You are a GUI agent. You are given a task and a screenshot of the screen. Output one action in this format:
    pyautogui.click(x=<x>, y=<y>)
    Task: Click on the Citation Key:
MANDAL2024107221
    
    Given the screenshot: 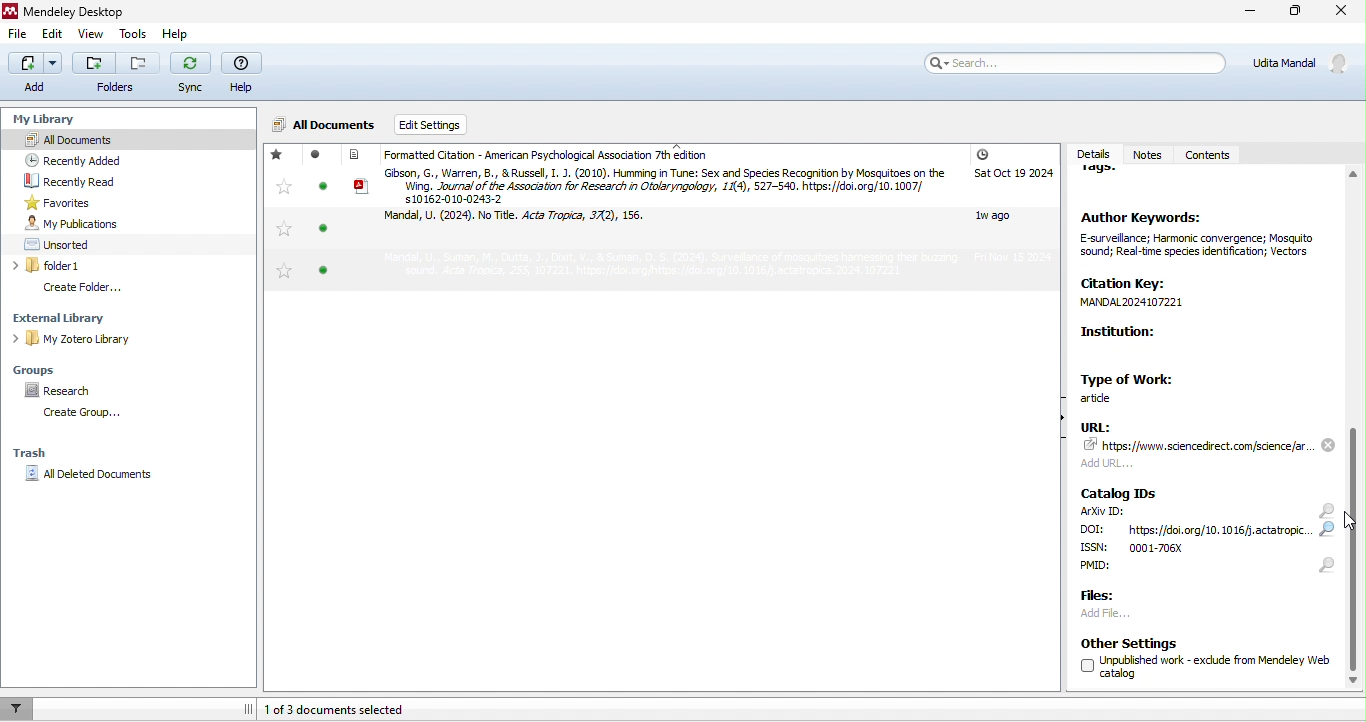 What is the action you would take?
    pyautogui.click(x=1158, y=293)
    